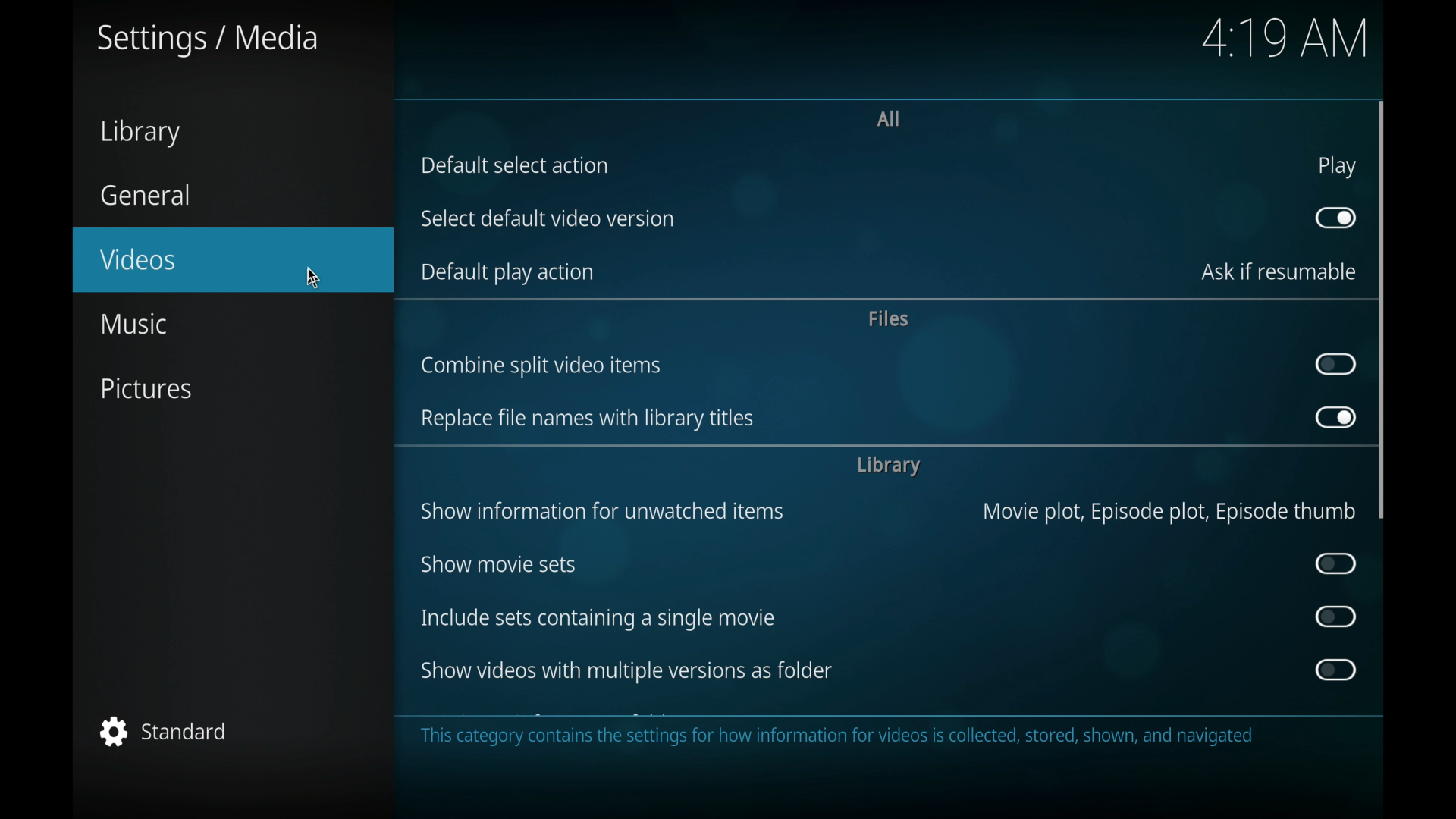  I want to click on pictures, so click(145, 388).